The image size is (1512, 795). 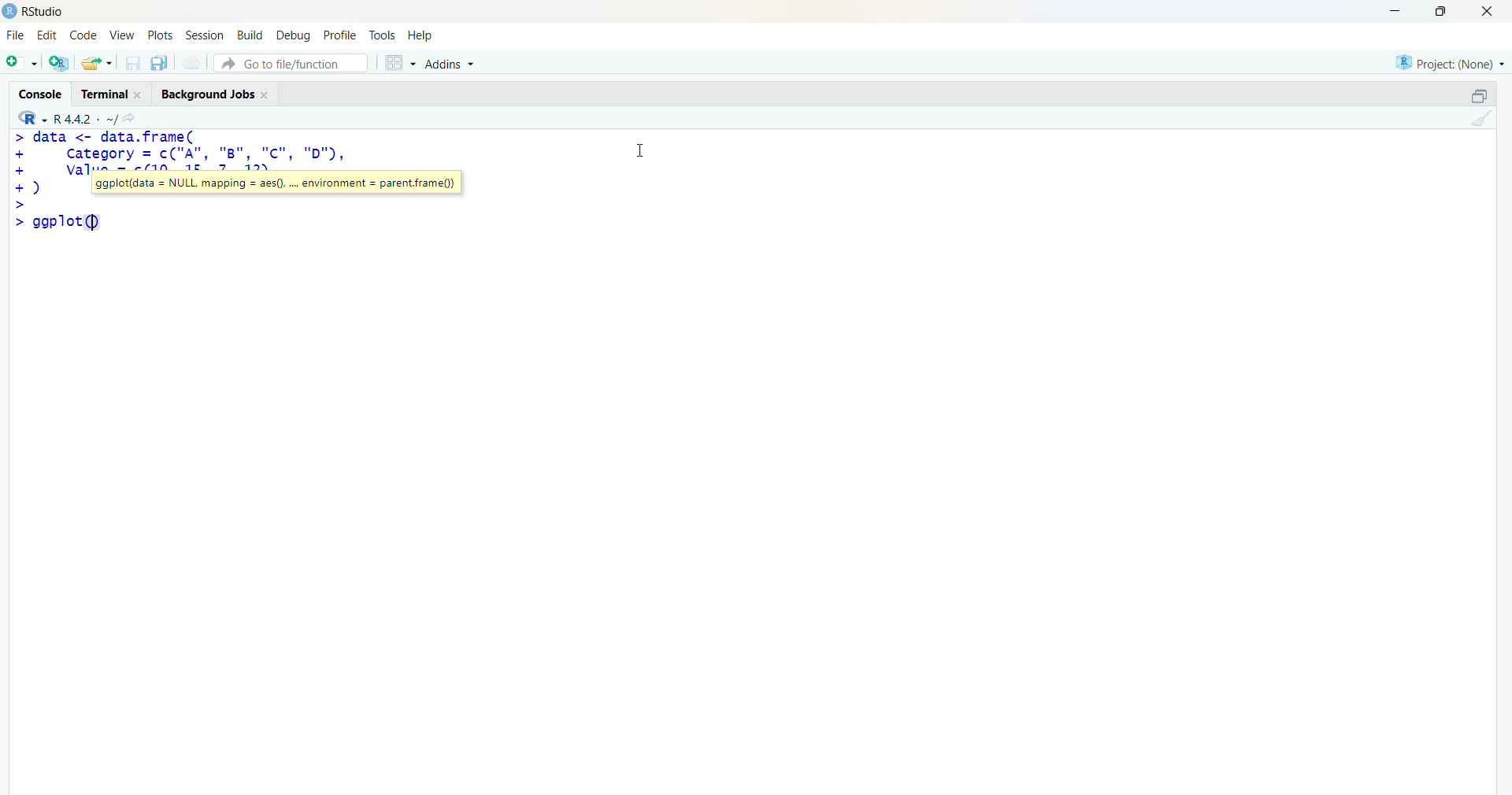 I want to click on code, so click(x=83, y=35).